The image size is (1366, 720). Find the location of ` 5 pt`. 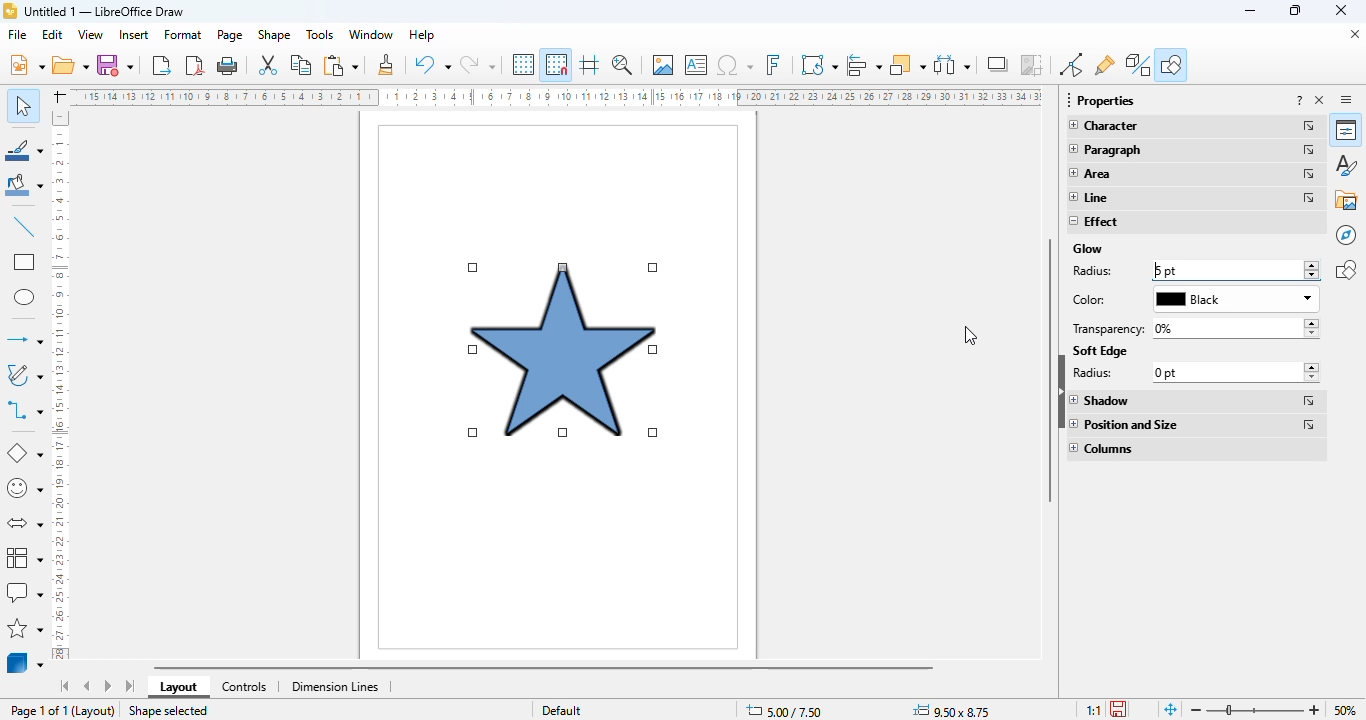

 5 pt is located at coordinates (1222, 271).